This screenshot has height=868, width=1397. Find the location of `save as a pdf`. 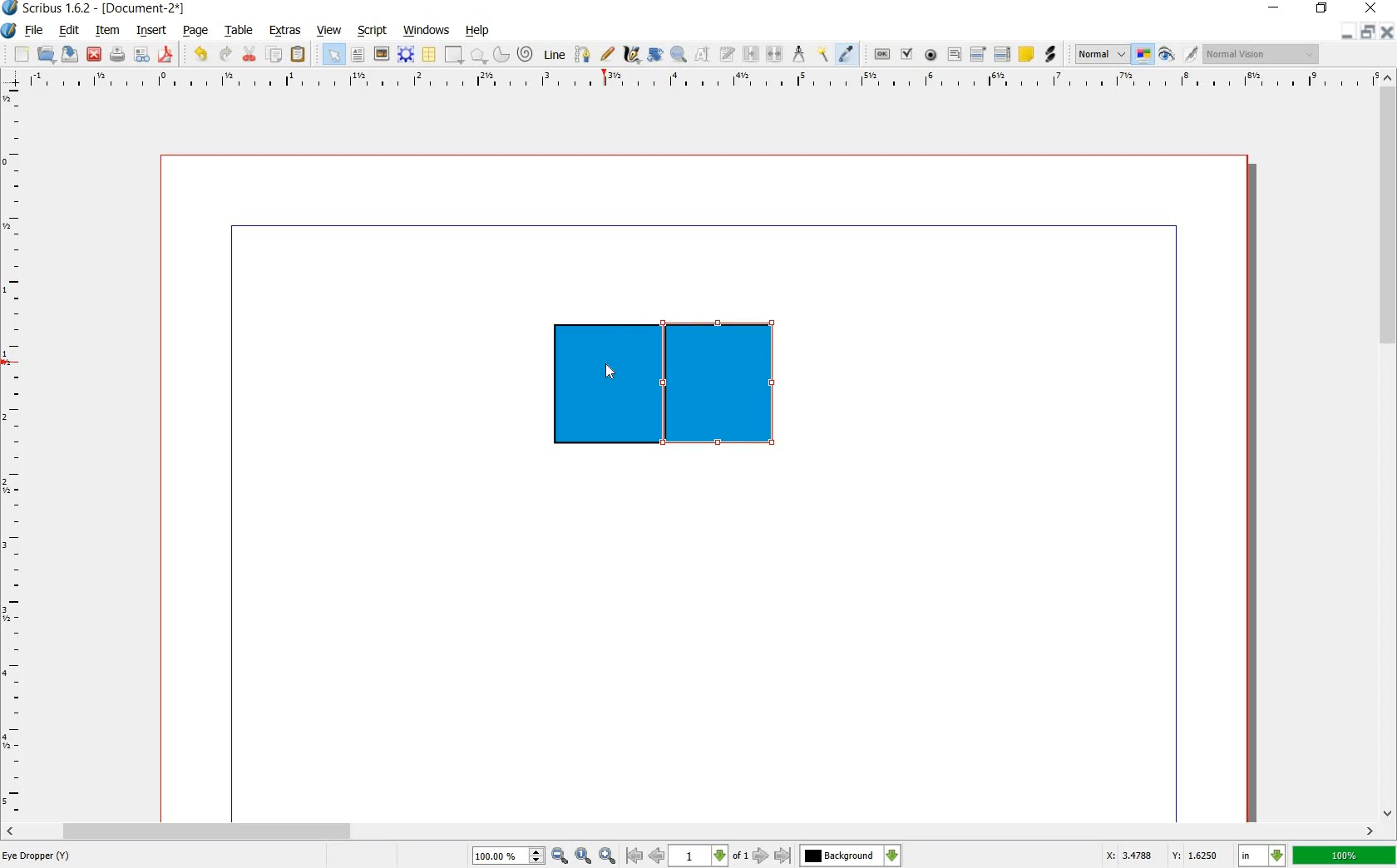

save as a pdf is located at coordinates (165, 55).